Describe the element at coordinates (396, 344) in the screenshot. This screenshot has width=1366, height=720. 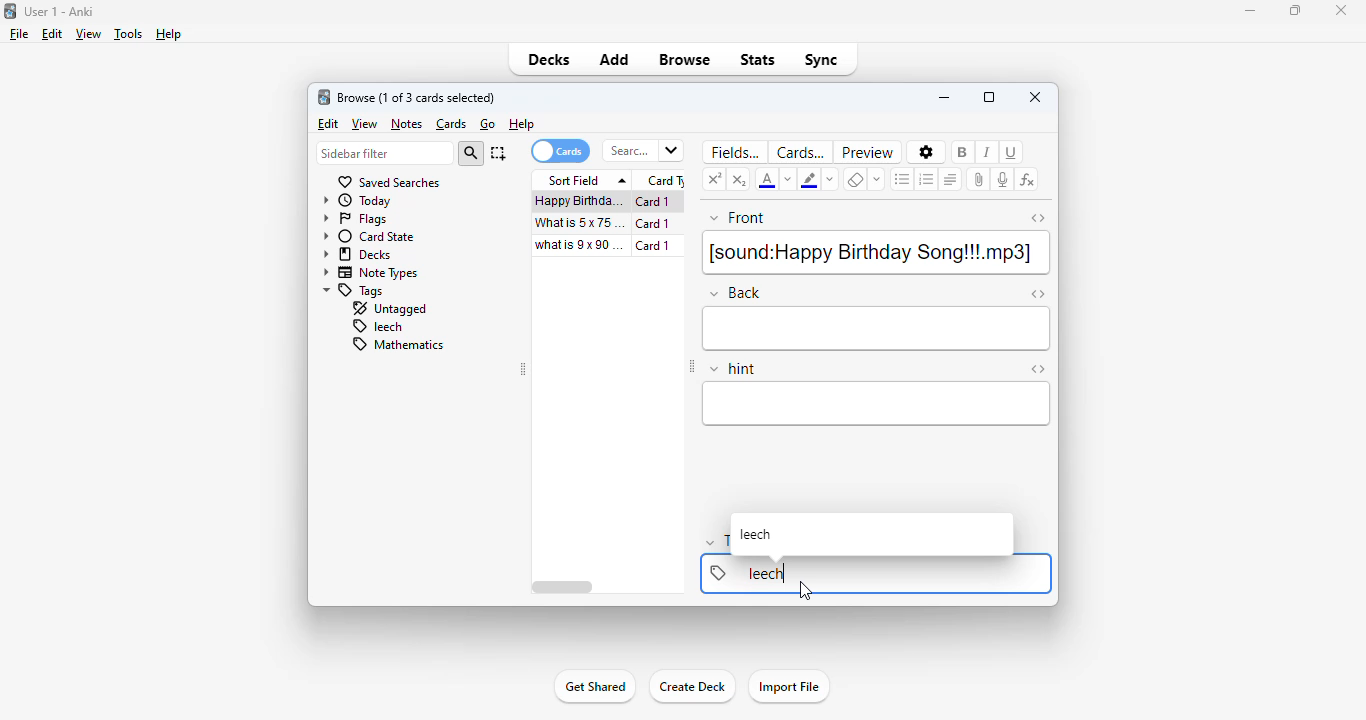
I see `mathematics` at that location.